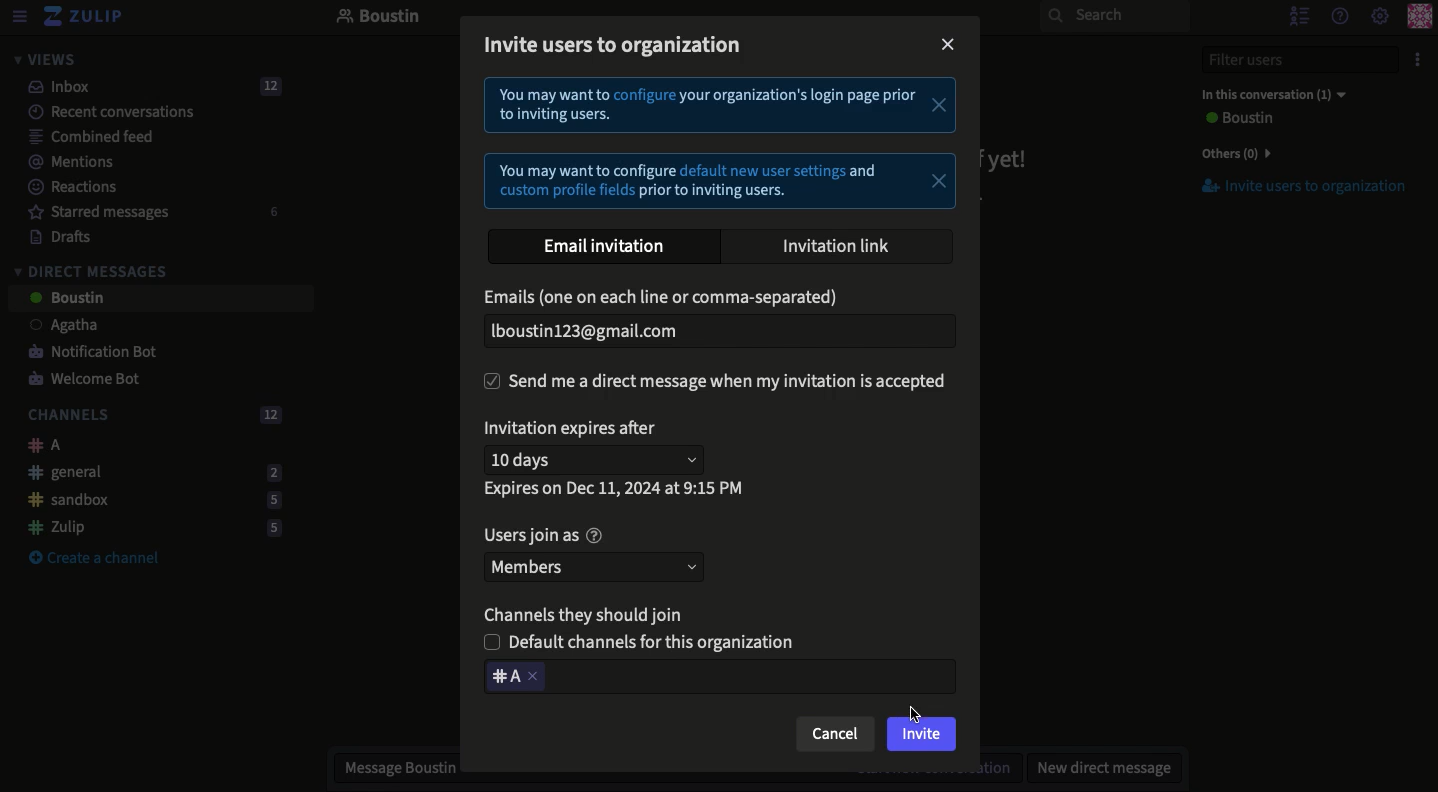 The height and width of the screenshot is (792, 1438). What do you see at coordinates (53, 327) in the screenshot?
I see `User 1` at bounding box center [53, 327].